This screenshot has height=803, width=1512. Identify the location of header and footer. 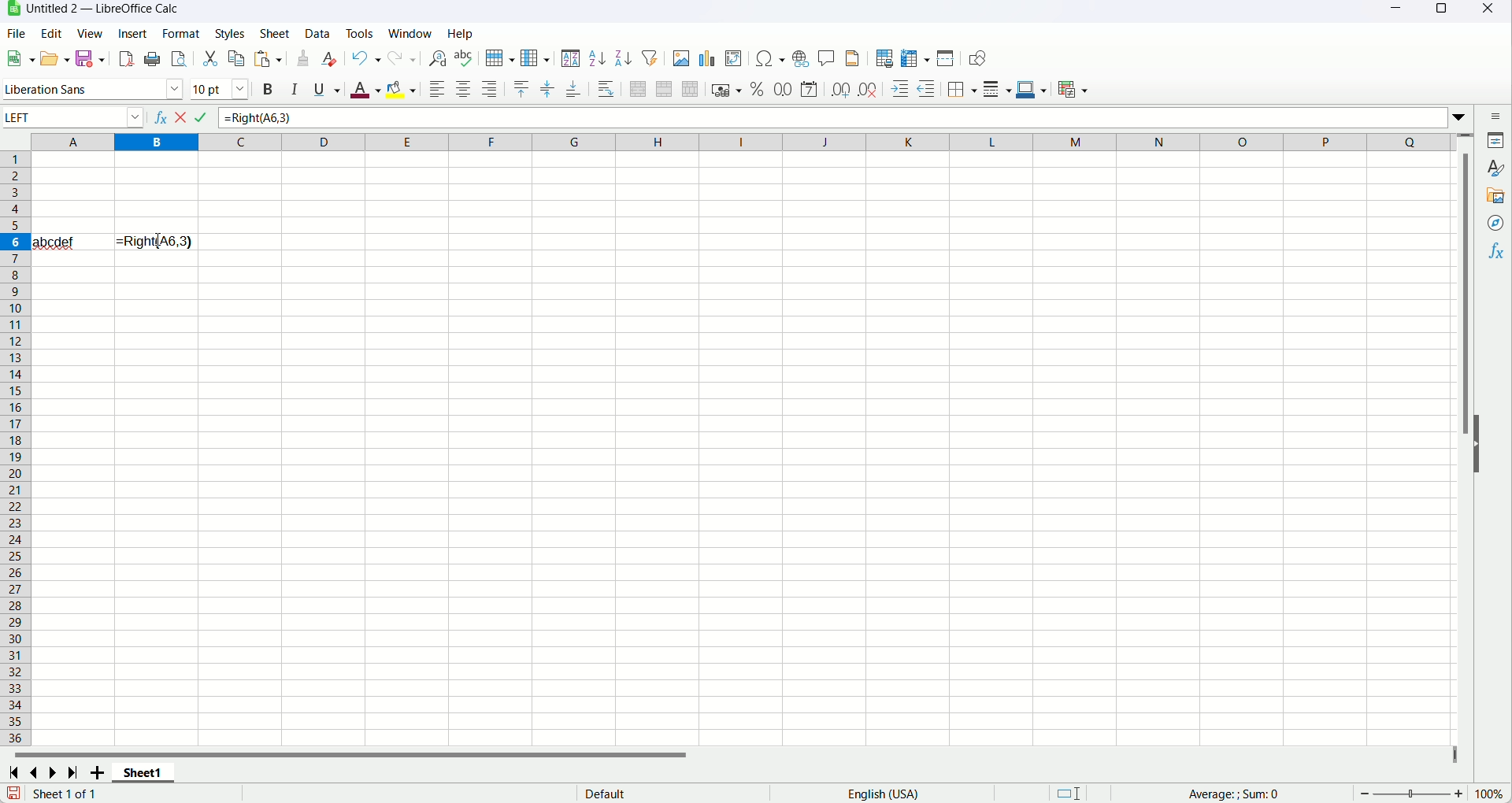
(854, 59).